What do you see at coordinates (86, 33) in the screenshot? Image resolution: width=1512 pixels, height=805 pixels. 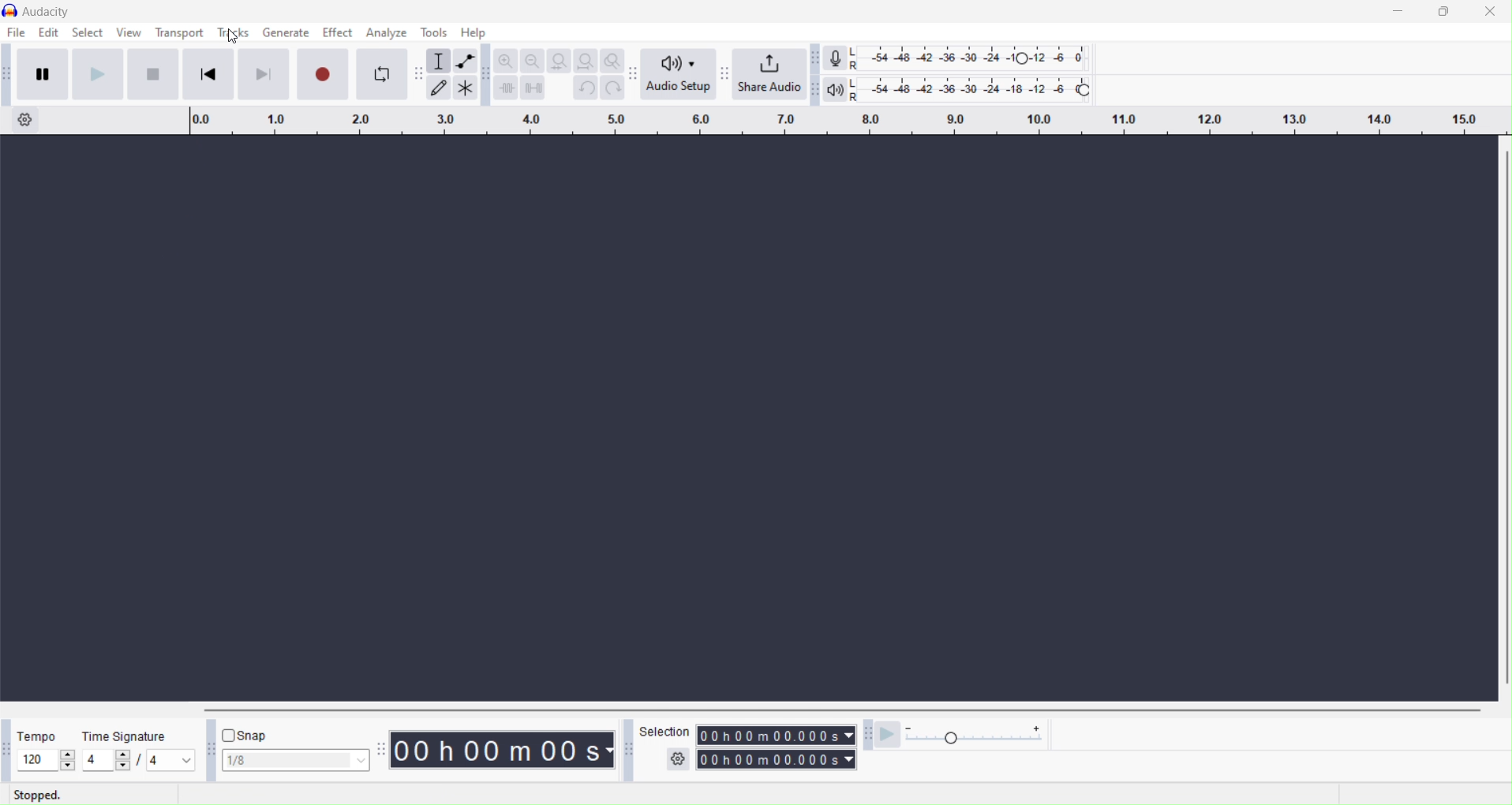 I see `Select` at bounding box center [86, 33].